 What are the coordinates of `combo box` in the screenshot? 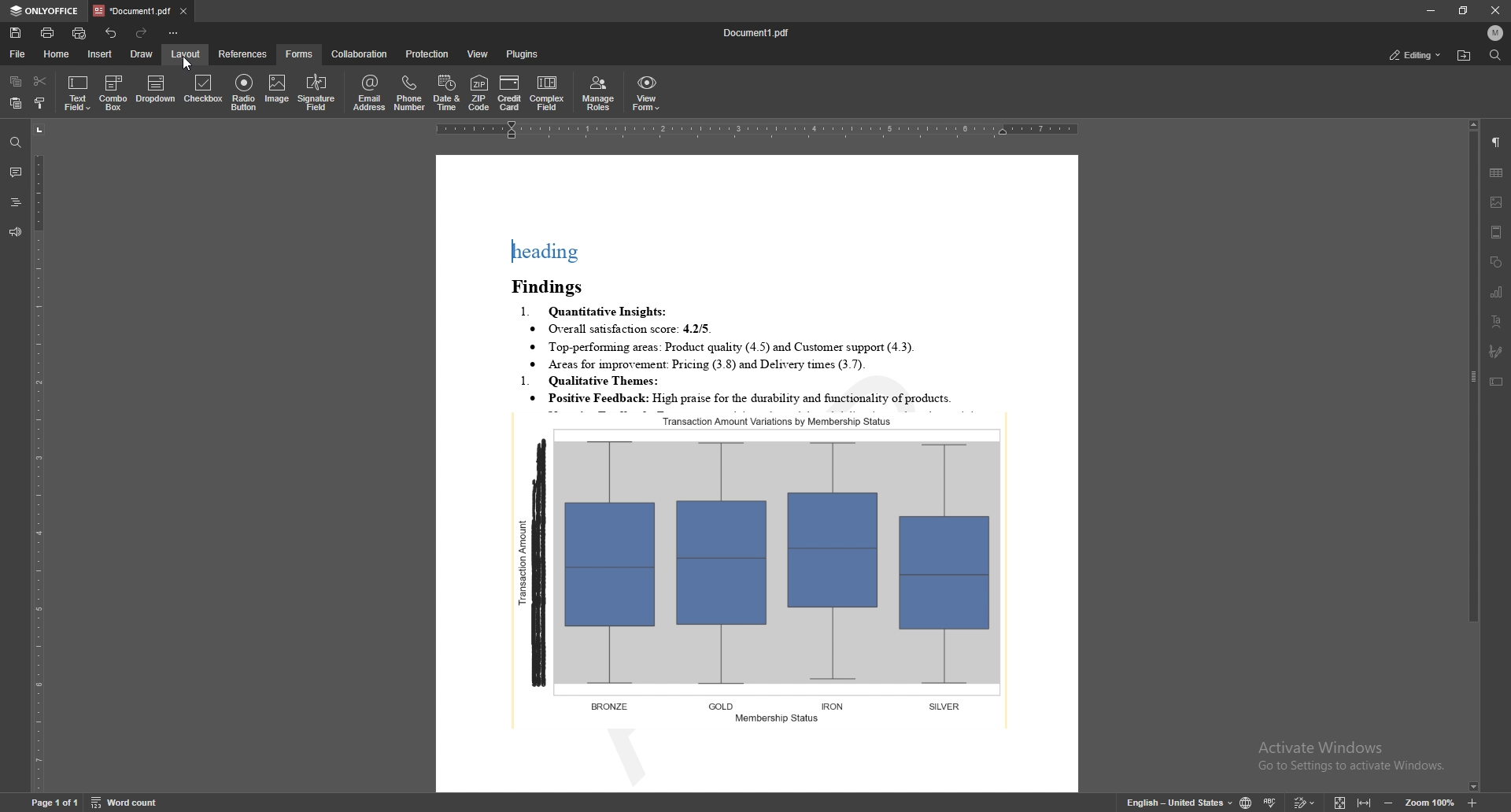 It's located at (114, 92).